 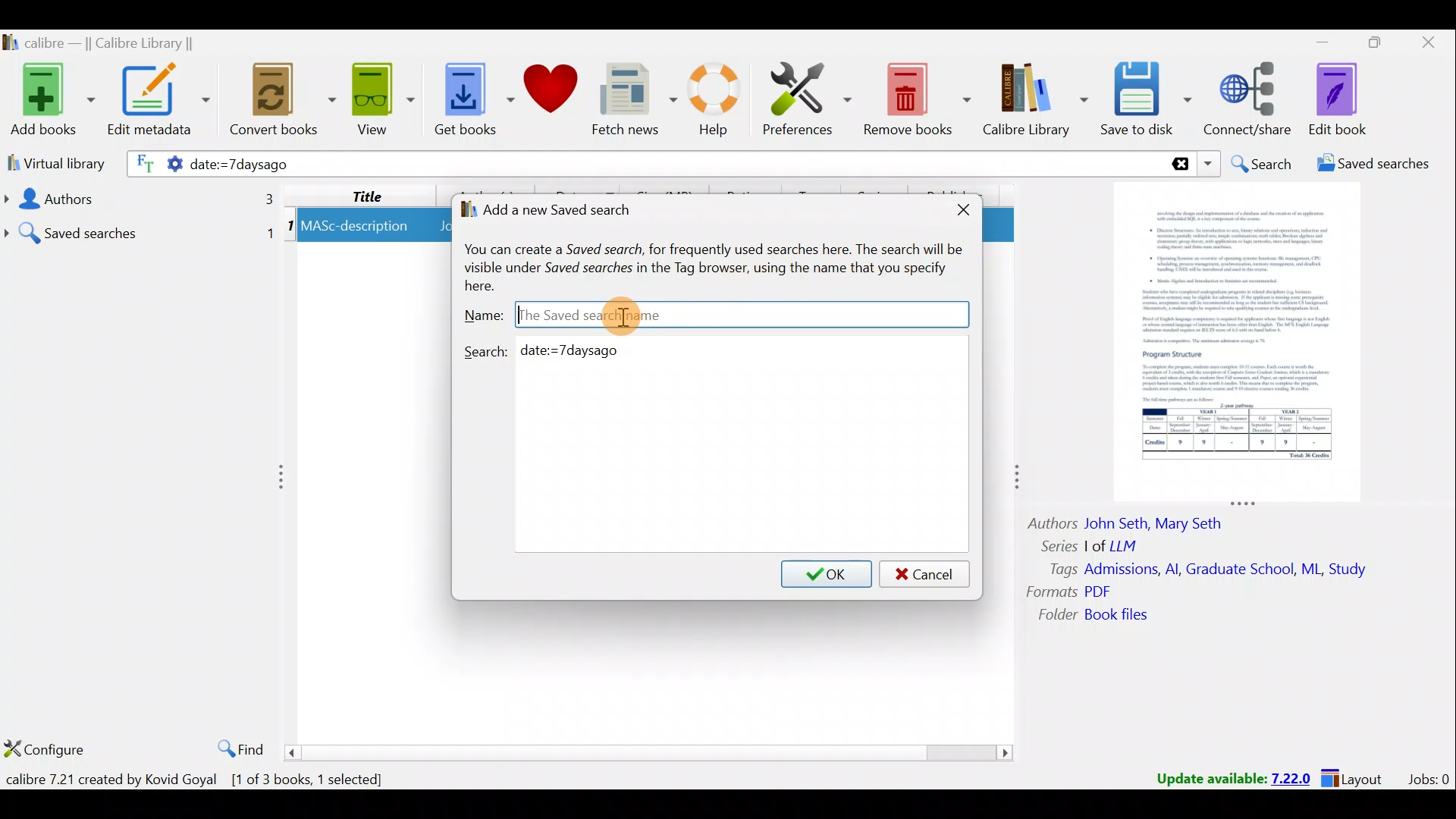 What do you see at coordinates (827, 573) in the screenshot?
I see `OK` at bounding box center [827, 573].